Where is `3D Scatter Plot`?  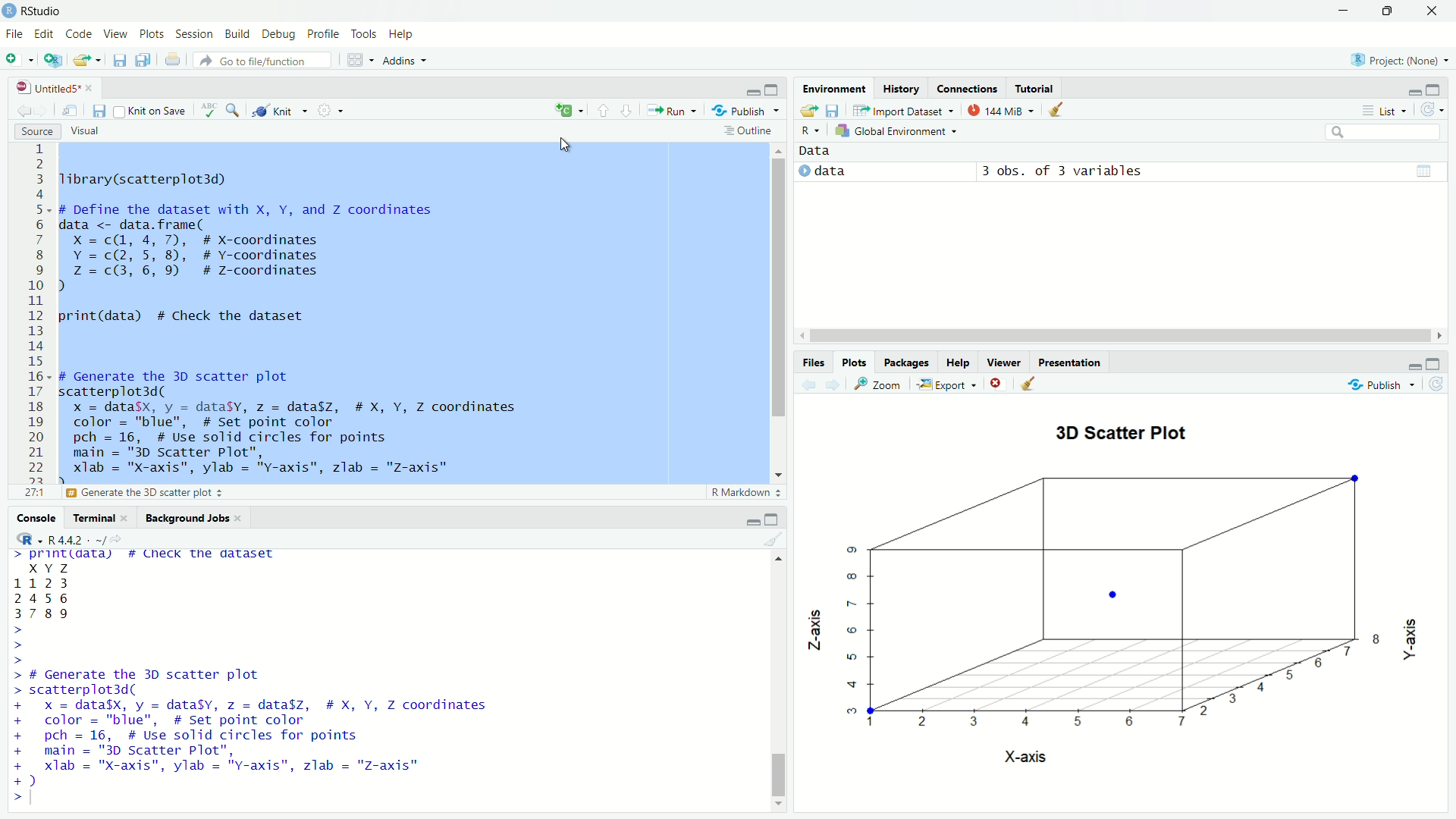
3D Scatter Plot is located at coordinates (1122, 435).